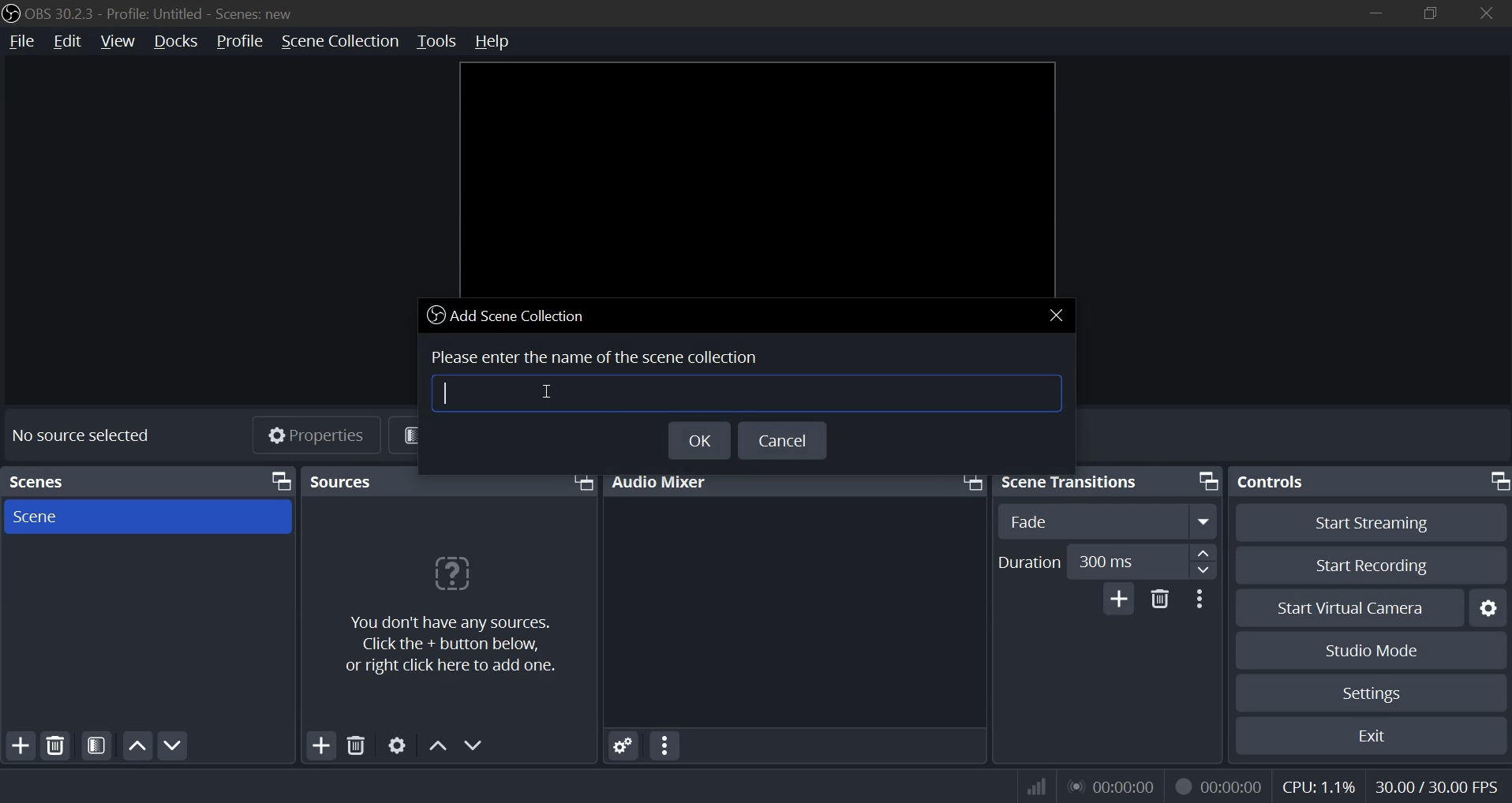  I want to click on bring front, so click(1498, 481).